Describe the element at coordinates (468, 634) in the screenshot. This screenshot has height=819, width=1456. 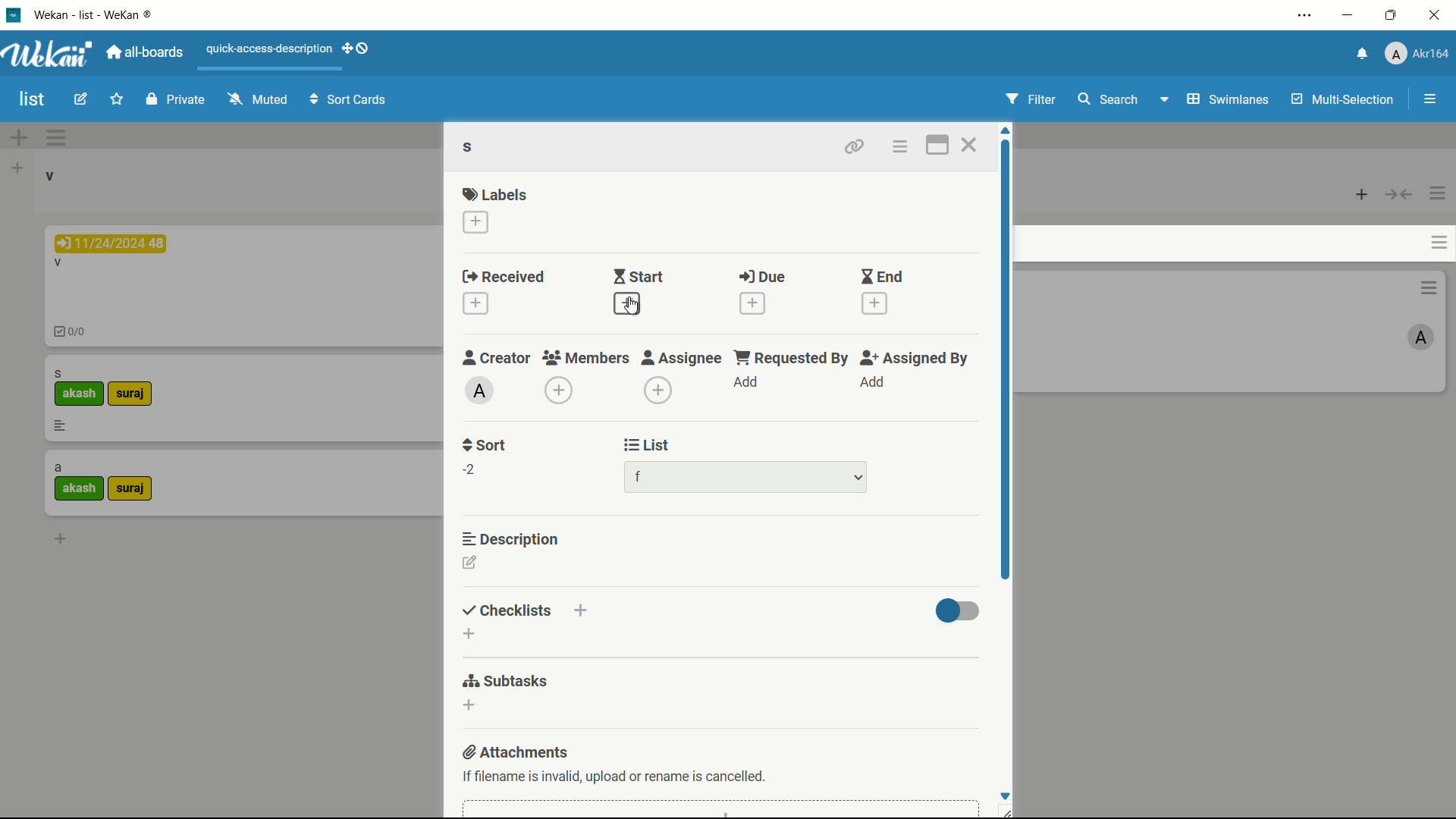
I see `add checklists` at that location.